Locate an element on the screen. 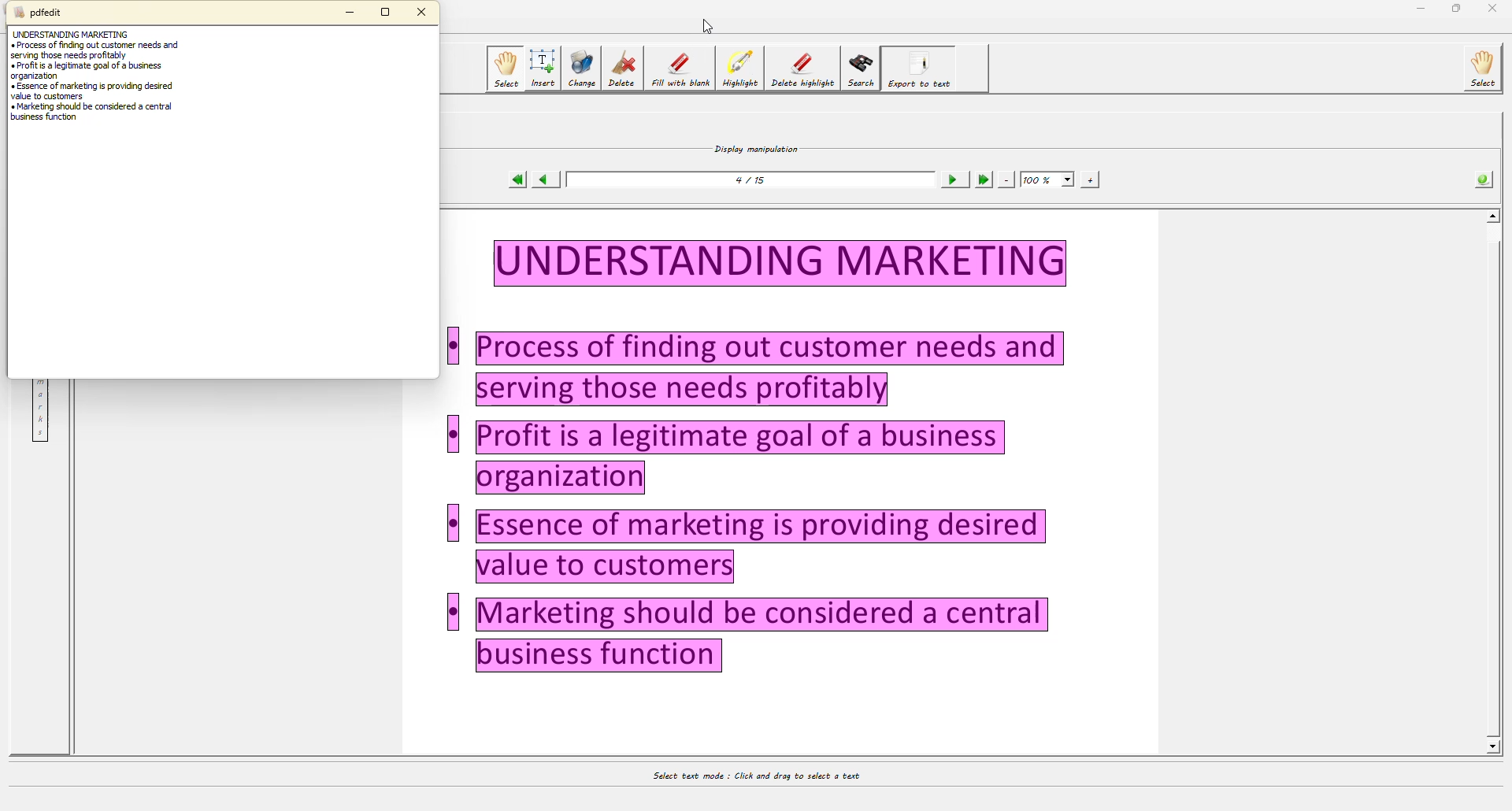  export to text is located at coordinates (921, 67).